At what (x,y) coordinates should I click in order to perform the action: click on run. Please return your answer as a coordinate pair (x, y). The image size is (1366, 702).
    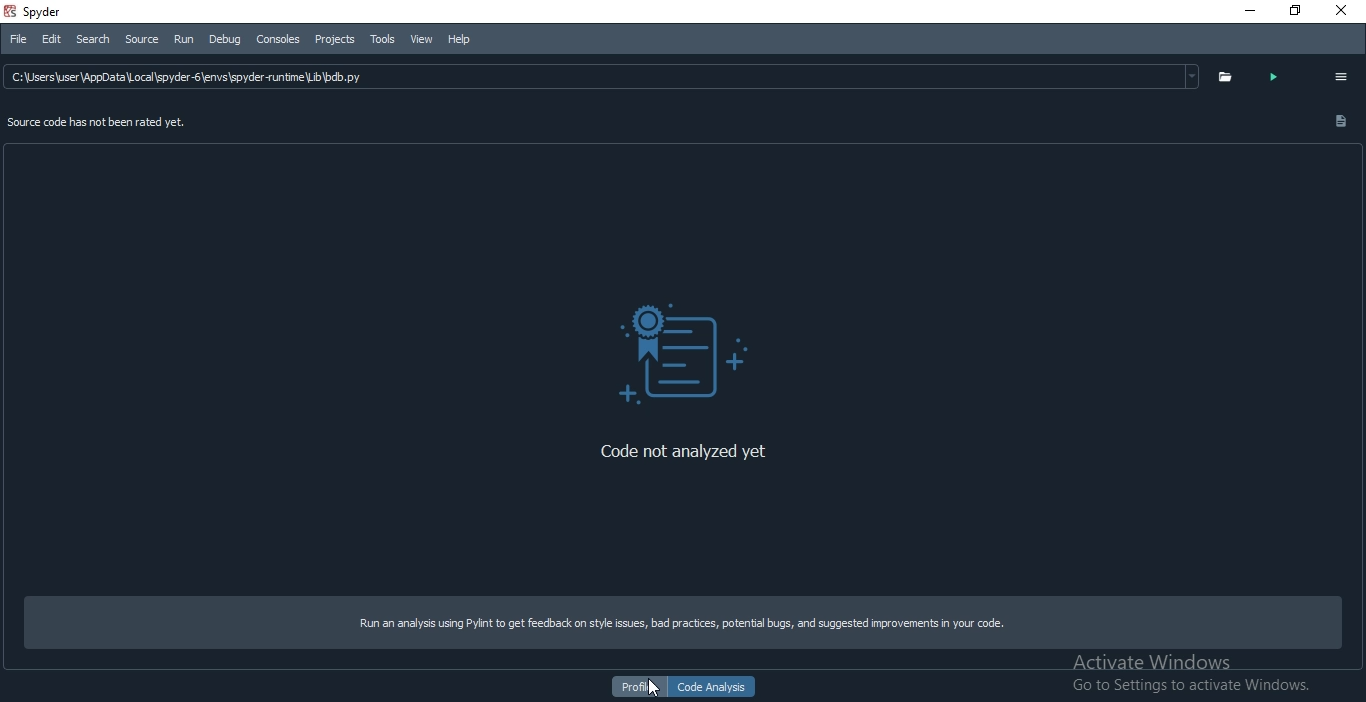
    Looking at the image, I should click on (188, 40).